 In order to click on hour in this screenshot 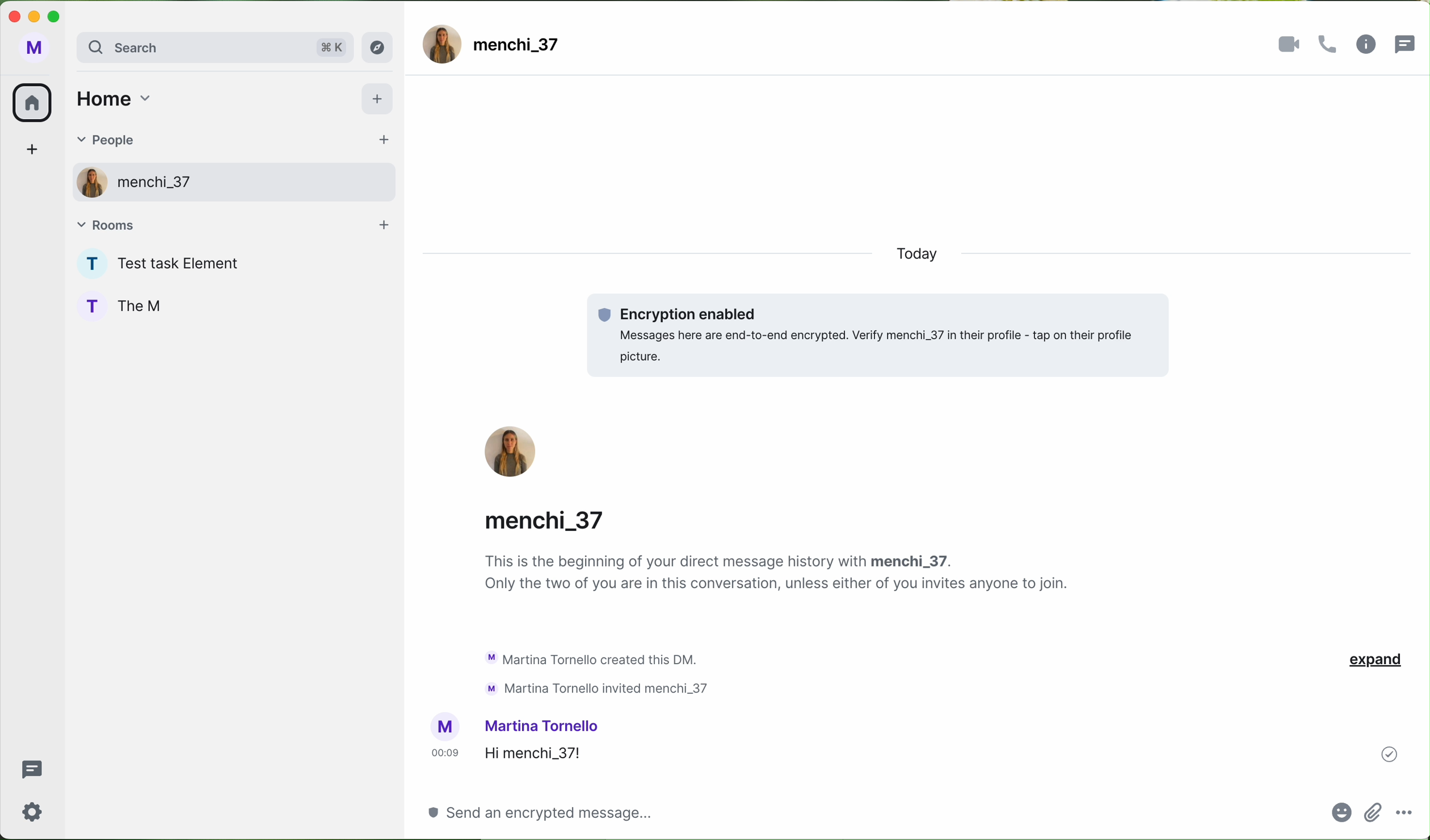, I will do `click(445, 753)`.